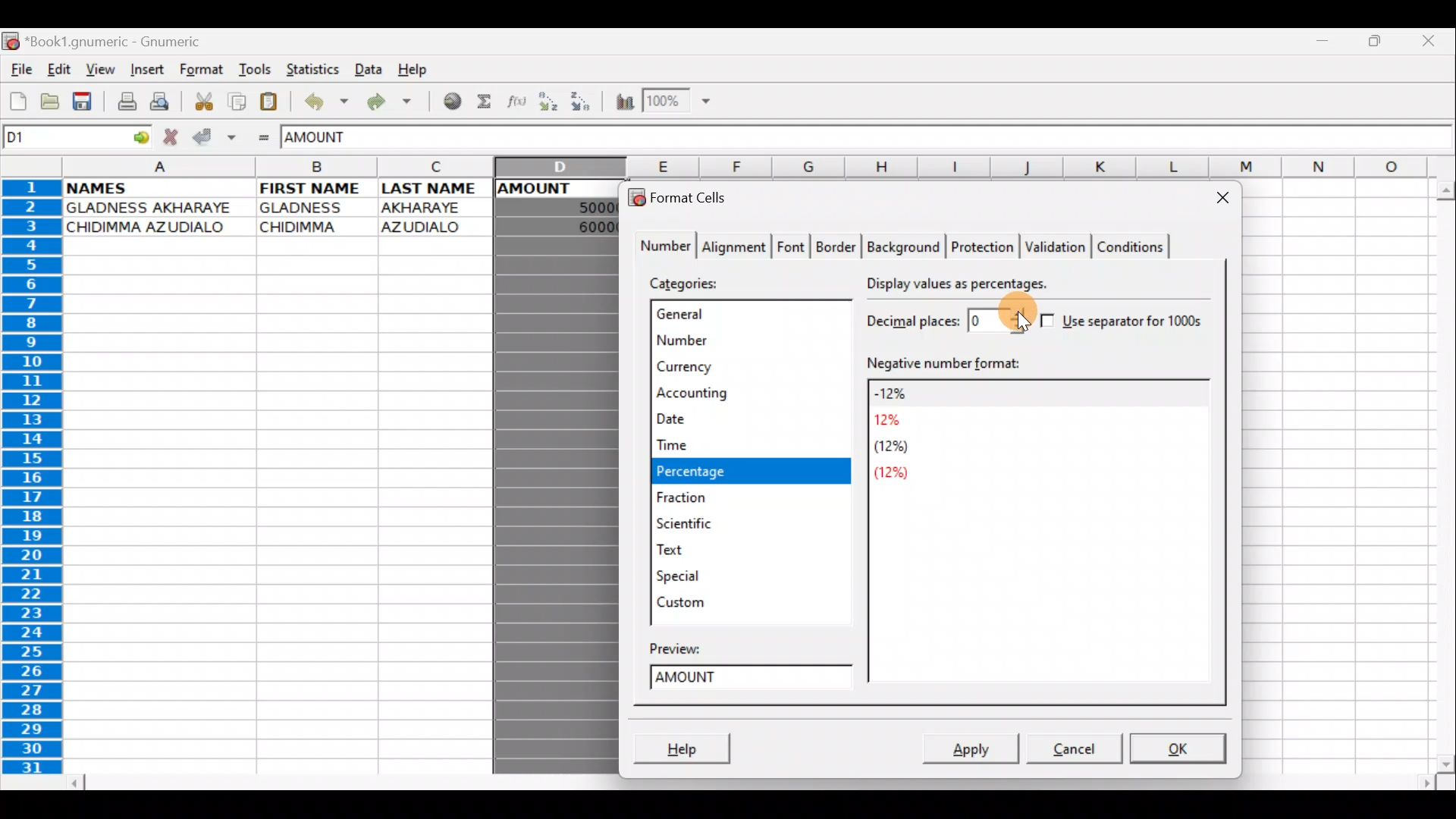  I want to click on Minimize, so click(1327, 44).